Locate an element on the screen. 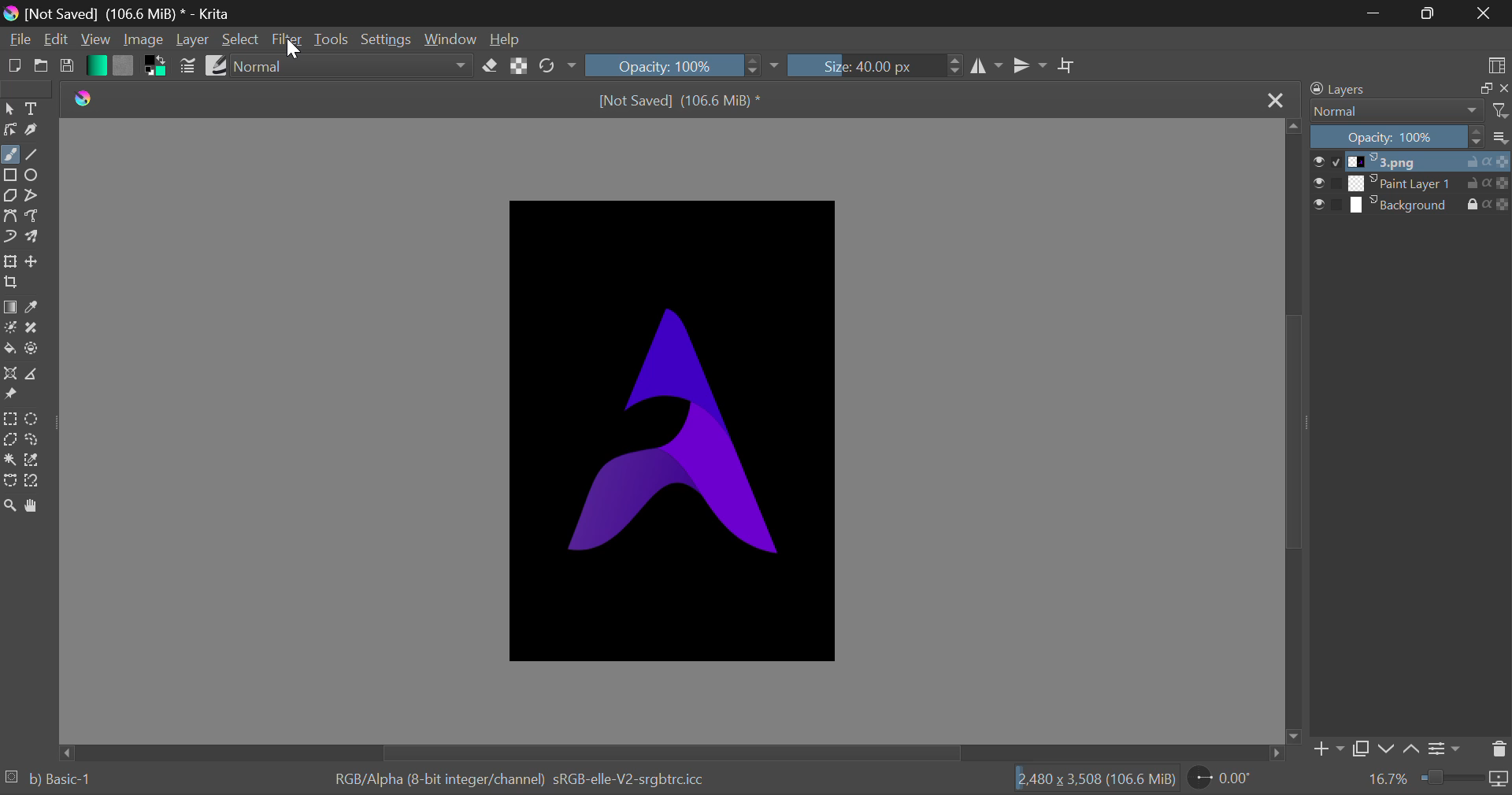  File is located at coordinates (17, 40).